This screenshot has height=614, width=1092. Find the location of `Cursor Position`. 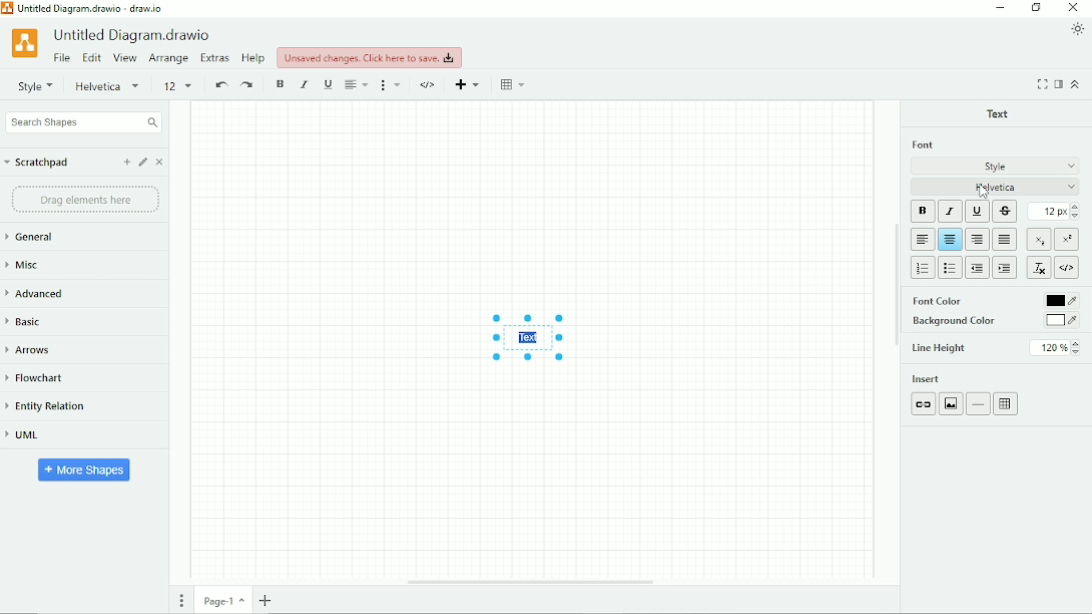

Cursor Position is located at coordinates (984, 191).